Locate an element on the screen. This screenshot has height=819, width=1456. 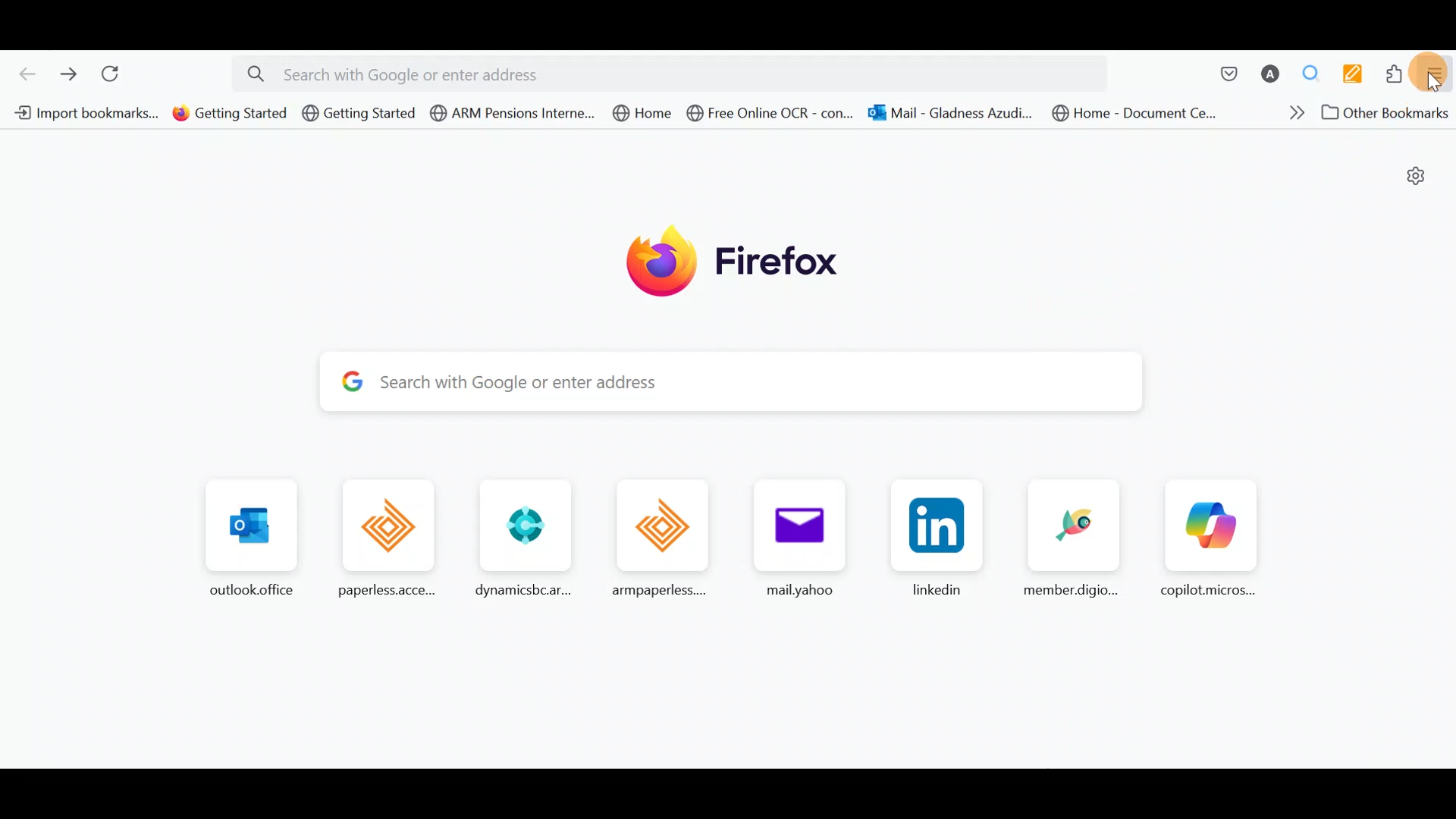
Open application menu is located at coordinates (1433, 75).